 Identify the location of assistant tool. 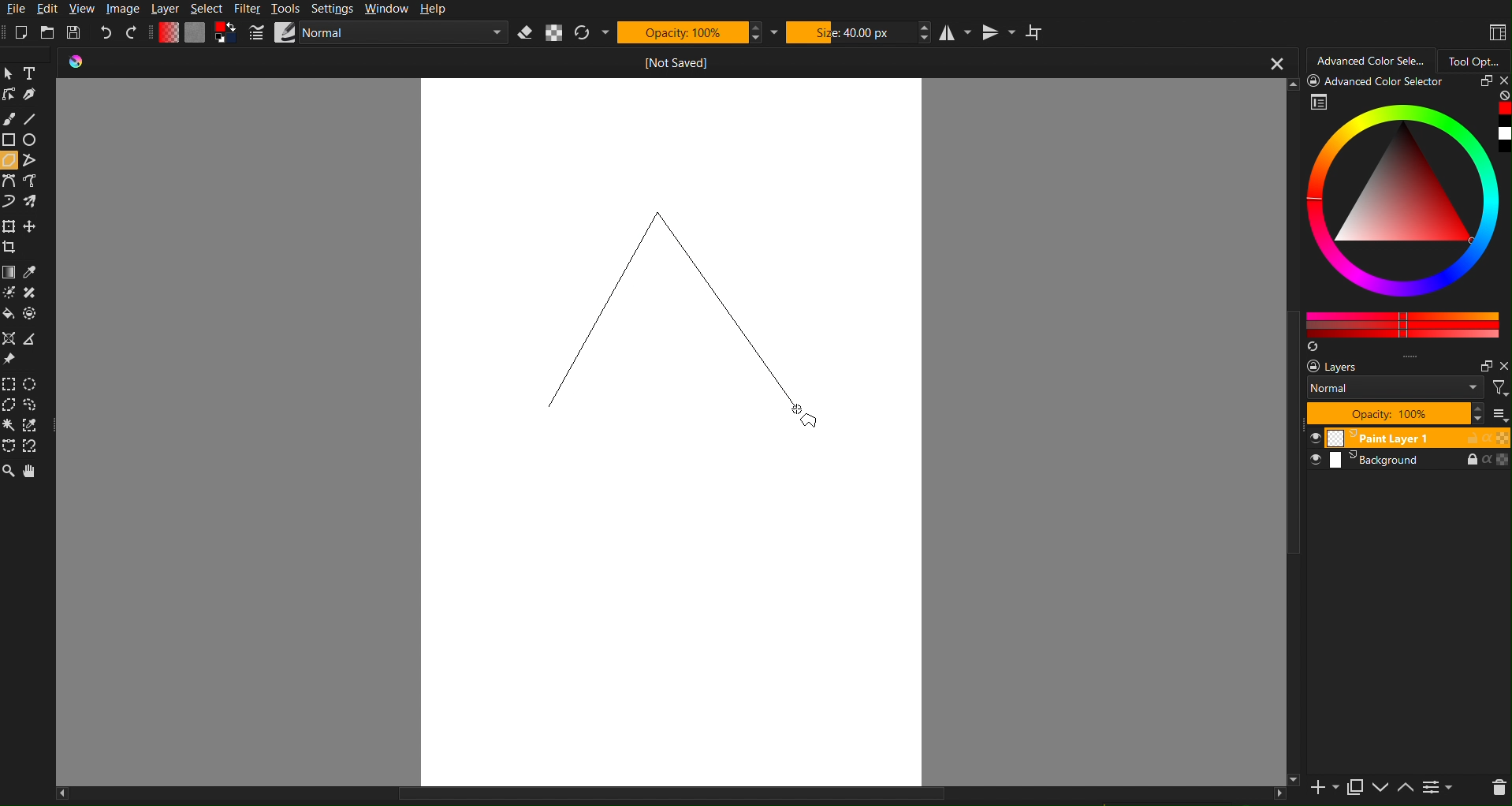
(10, 337).